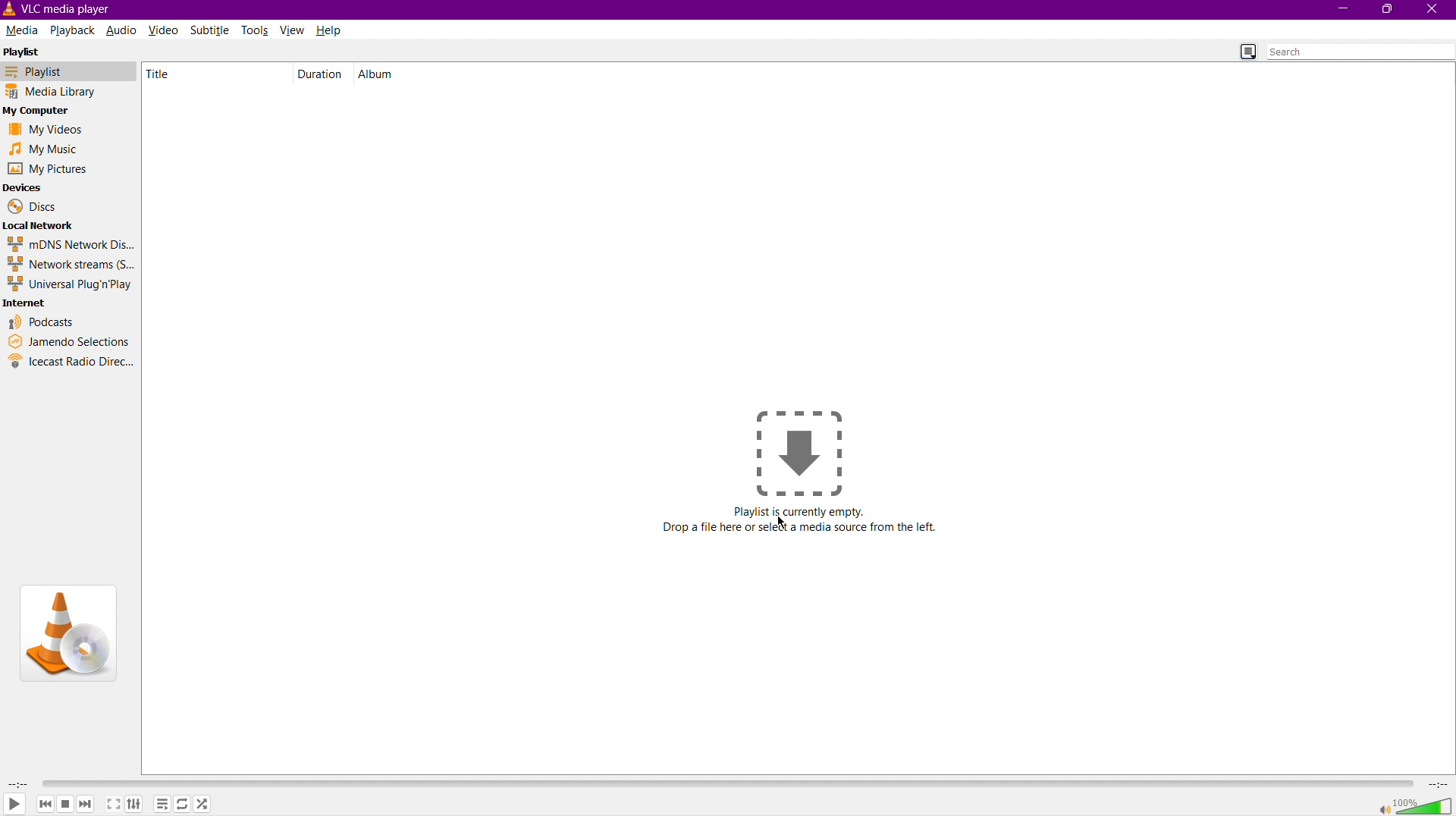 The width and height of the screenshot is (1456, 816). I want to click on Devices, so click(24, 187).